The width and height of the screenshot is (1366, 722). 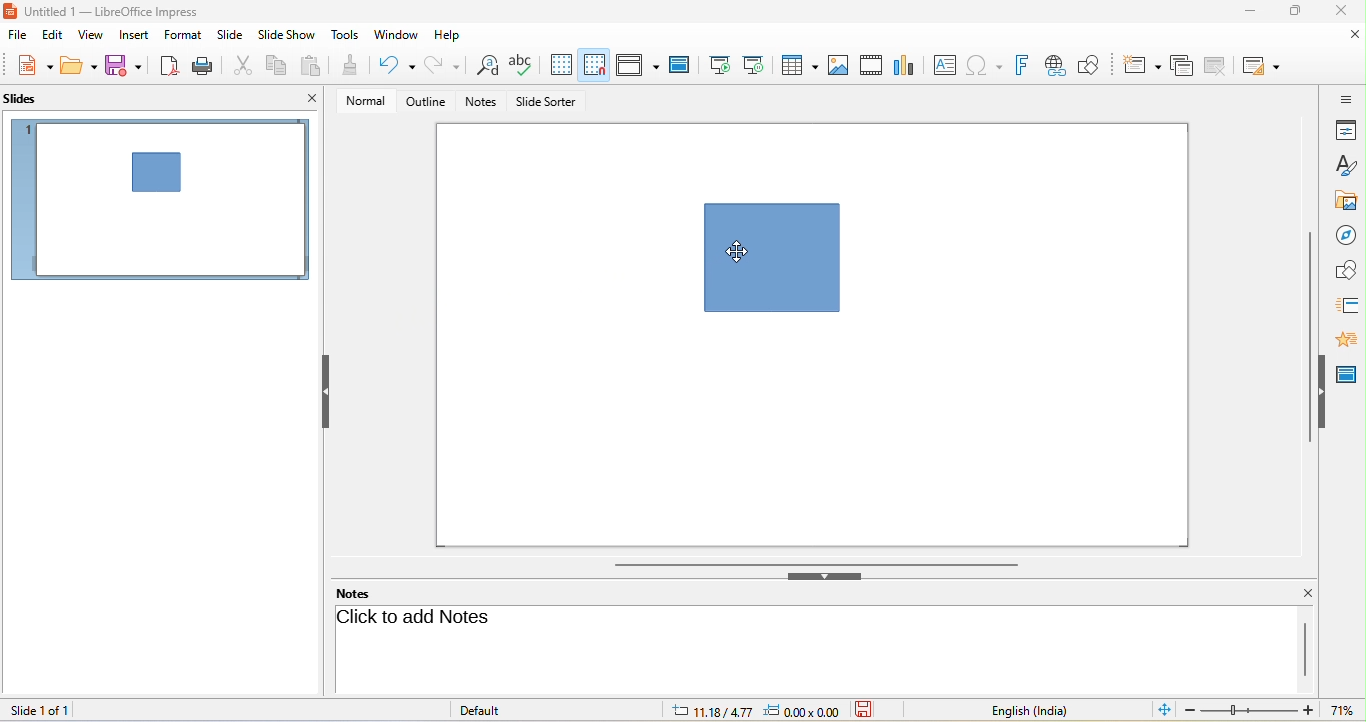 What do you see at coordinates (510, 712) in the screenshot?
I see `default` at bounding box center [510, 712].